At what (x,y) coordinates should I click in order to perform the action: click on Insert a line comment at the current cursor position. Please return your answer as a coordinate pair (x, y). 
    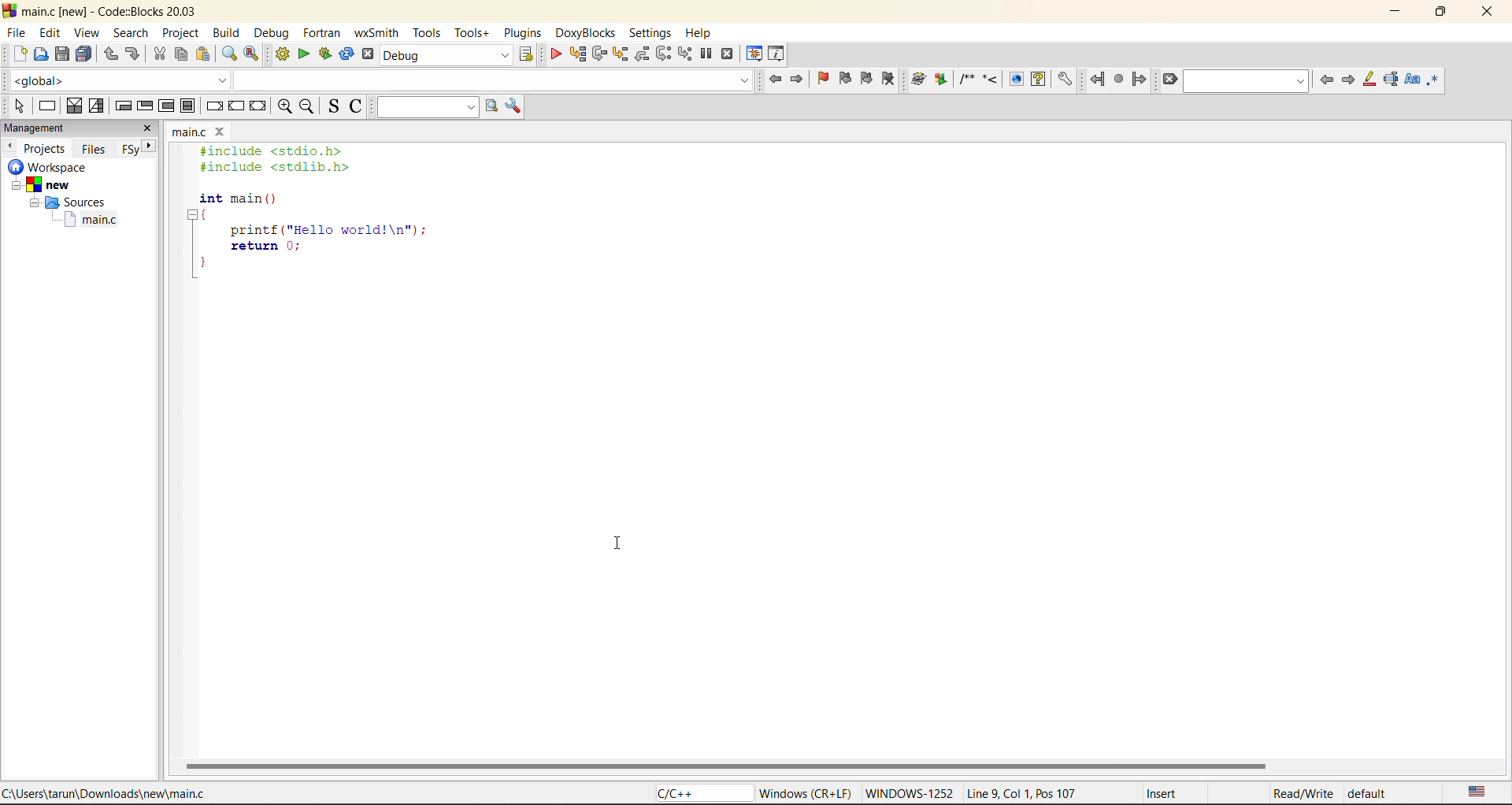
    Looking at the image, I should click on (989, 79).